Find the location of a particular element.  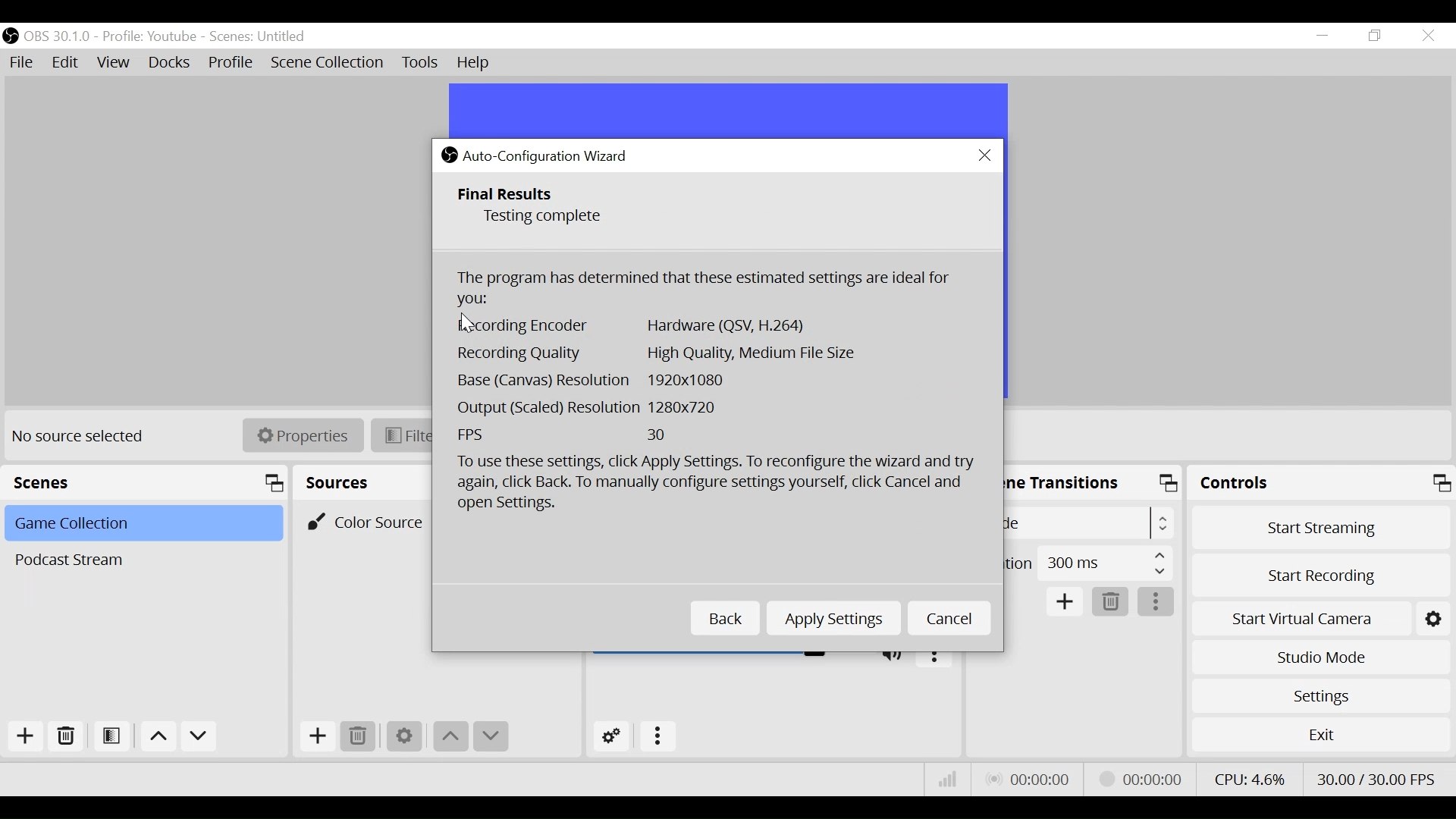

Start Recording is located at coordinates (1319, 574).